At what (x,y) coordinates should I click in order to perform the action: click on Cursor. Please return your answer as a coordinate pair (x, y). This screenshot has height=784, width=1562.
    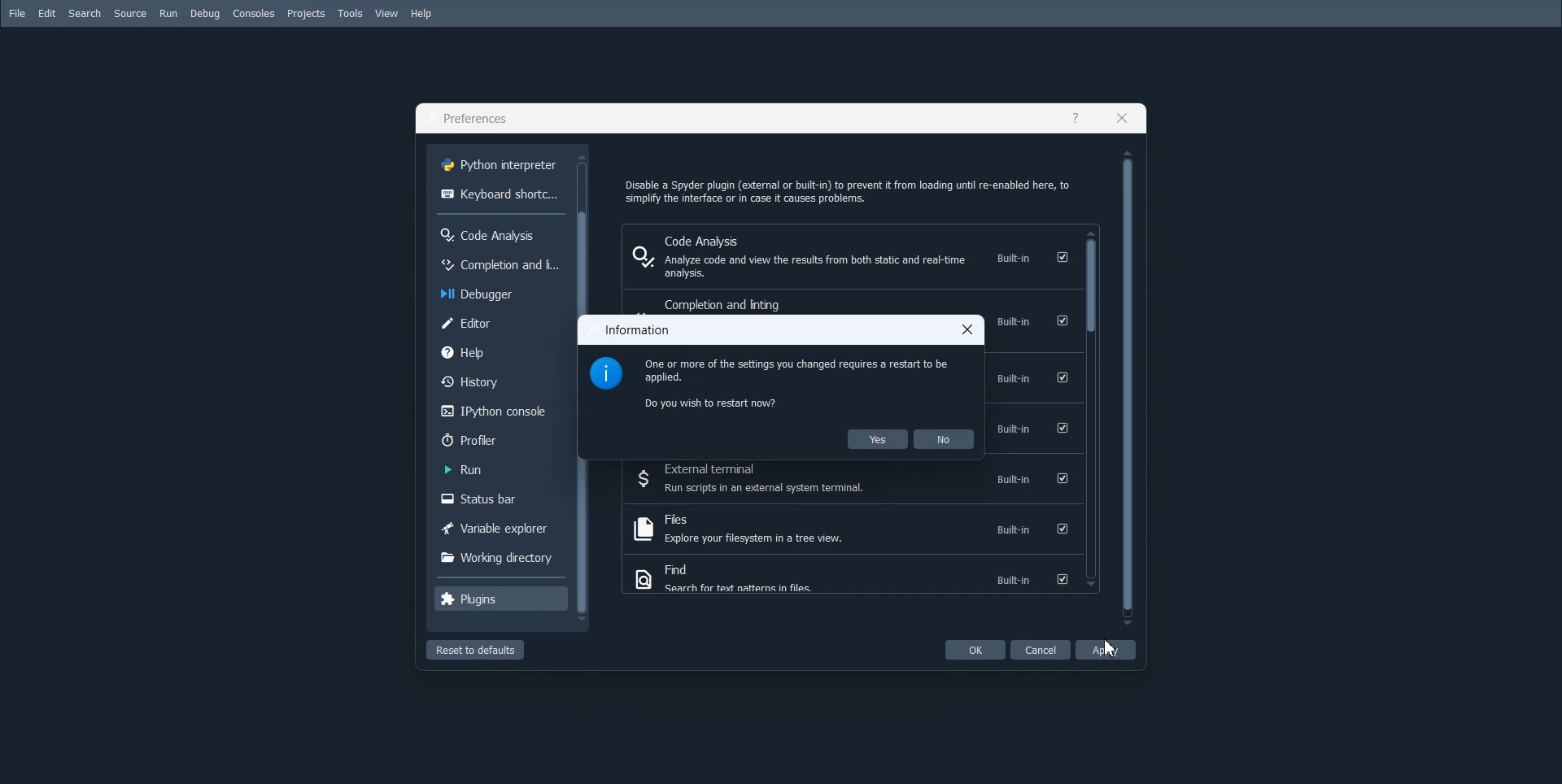
    Looking at the image, I should click on (1110, 657).